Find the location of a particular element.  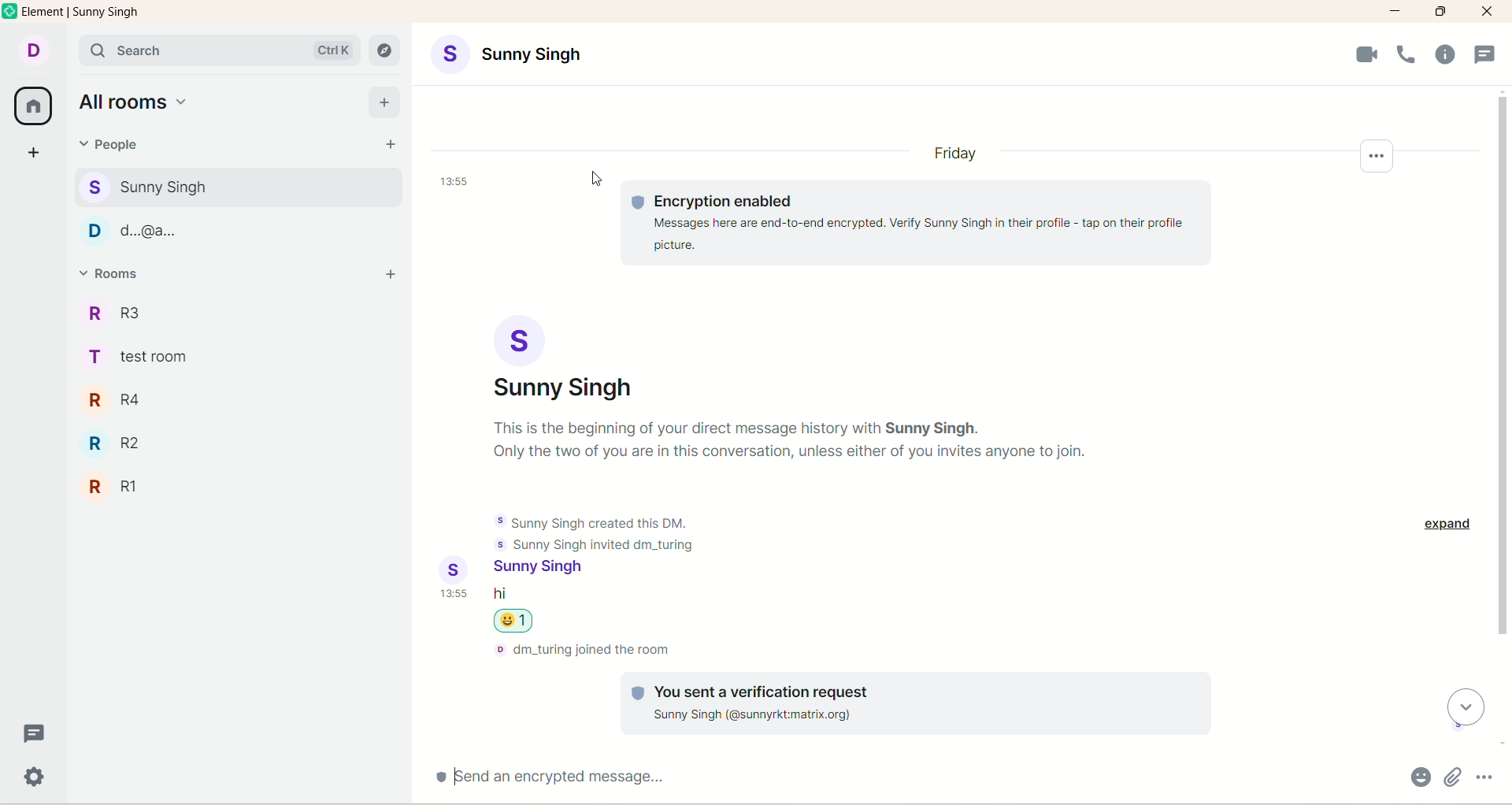

send message is located at coordinates (913, 777).